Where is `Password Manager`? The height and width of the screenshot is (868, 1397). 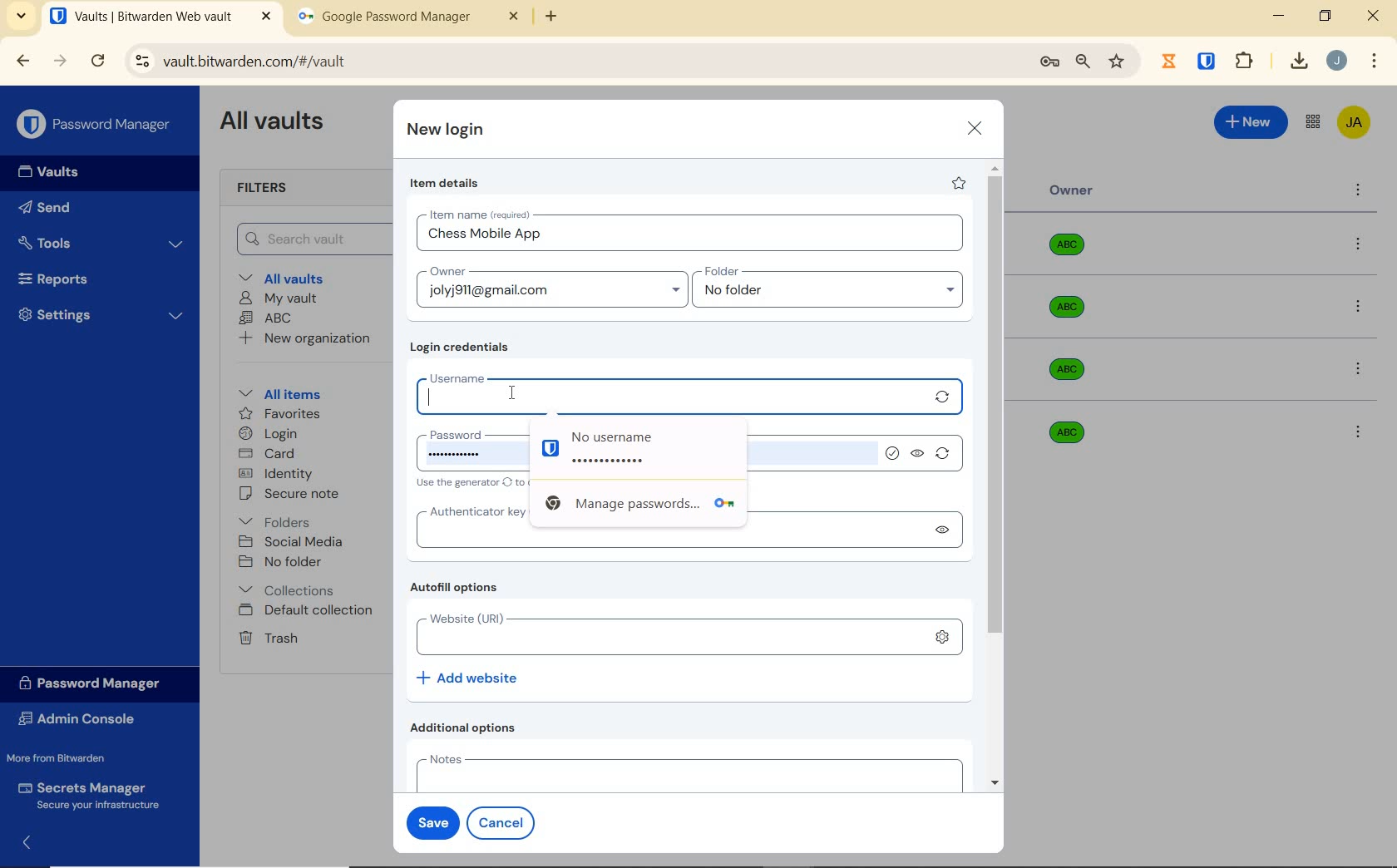
Password Manager is located at coordinates (96, 126).